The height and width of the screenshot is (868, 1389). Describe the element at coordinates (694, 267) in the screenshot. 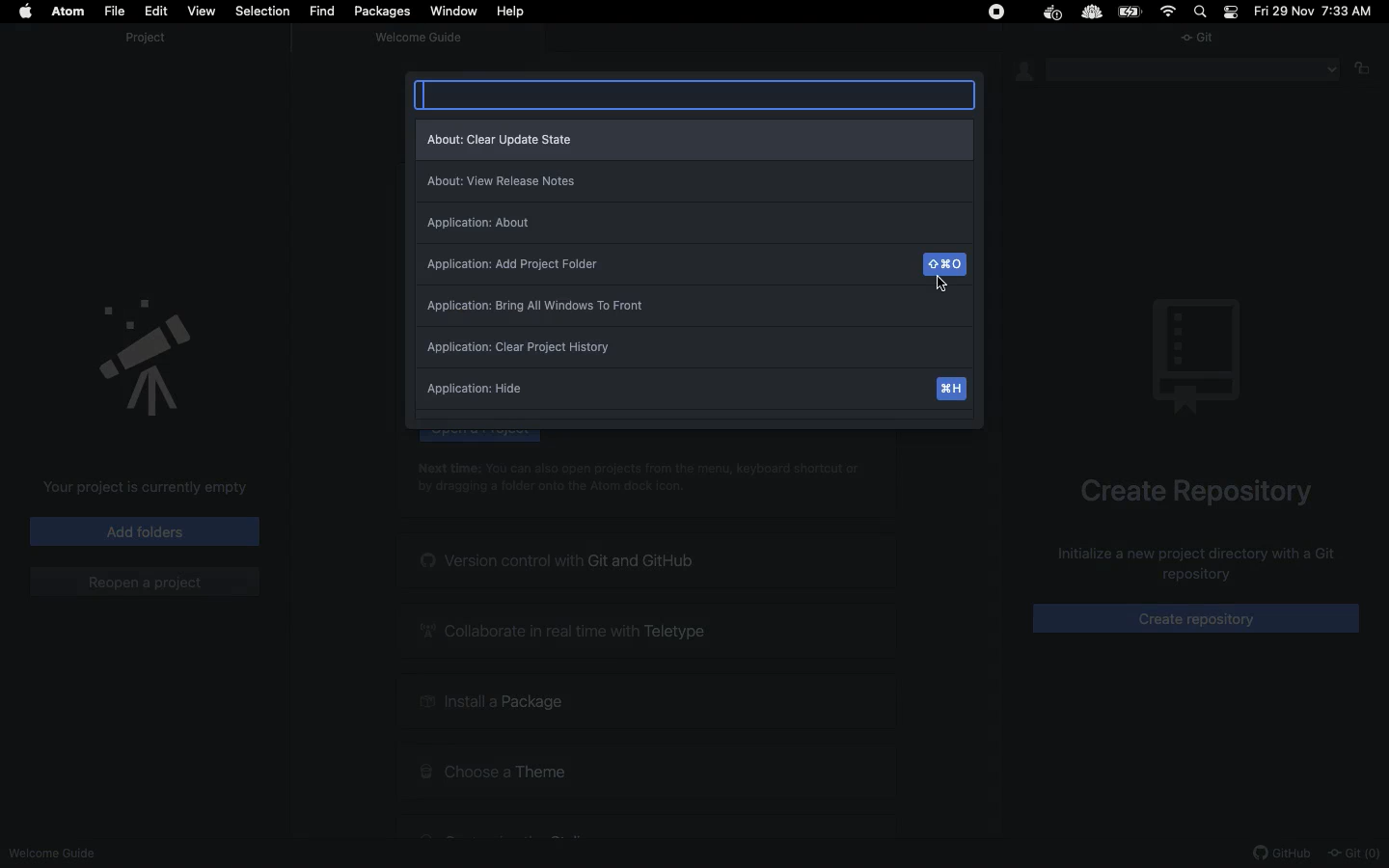

I see `Application add project folder` at that location.